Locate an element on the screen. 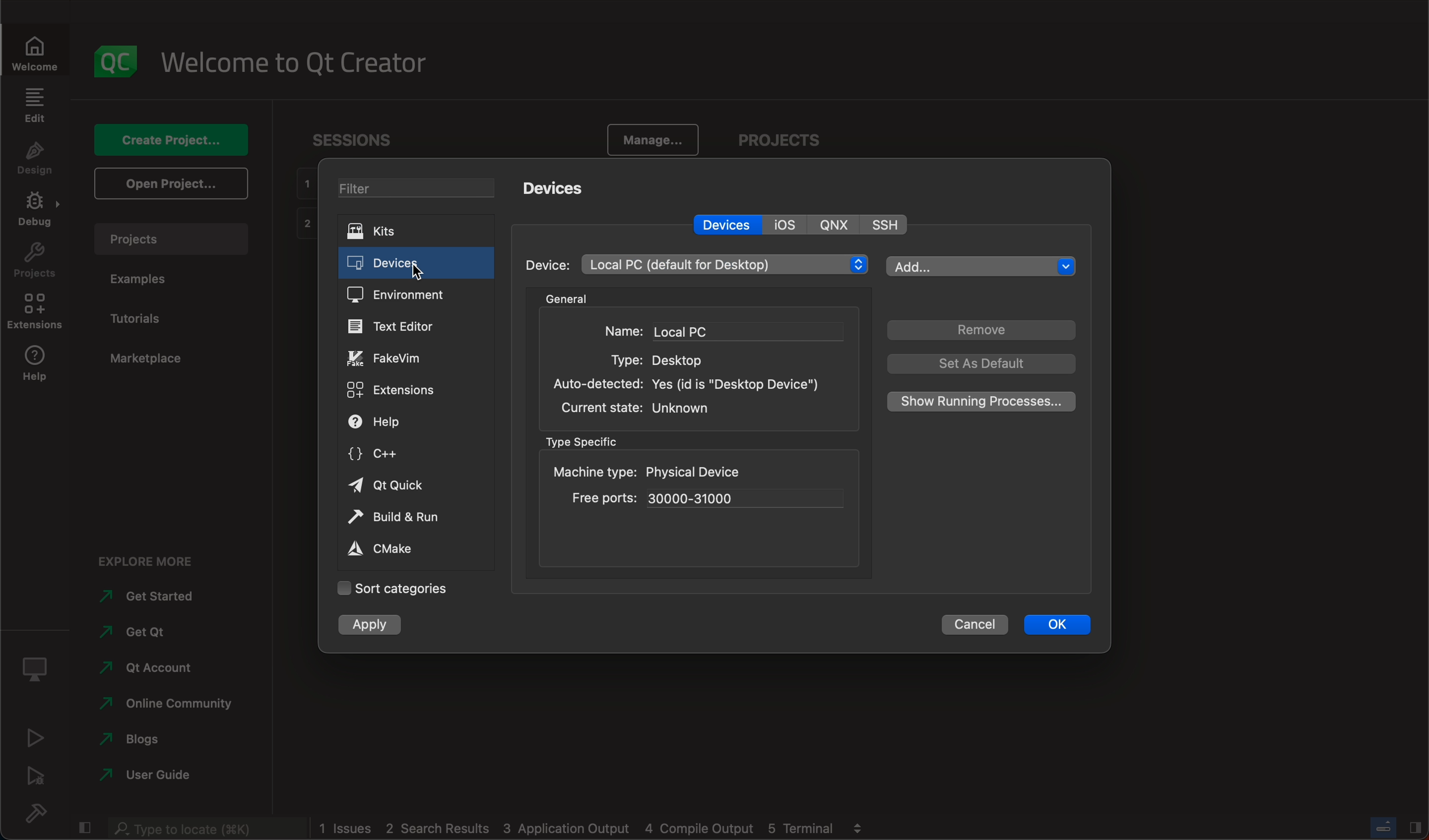 The height and width of the screenshot is (840, 1429). user guide is located at coordinates (164, 773).